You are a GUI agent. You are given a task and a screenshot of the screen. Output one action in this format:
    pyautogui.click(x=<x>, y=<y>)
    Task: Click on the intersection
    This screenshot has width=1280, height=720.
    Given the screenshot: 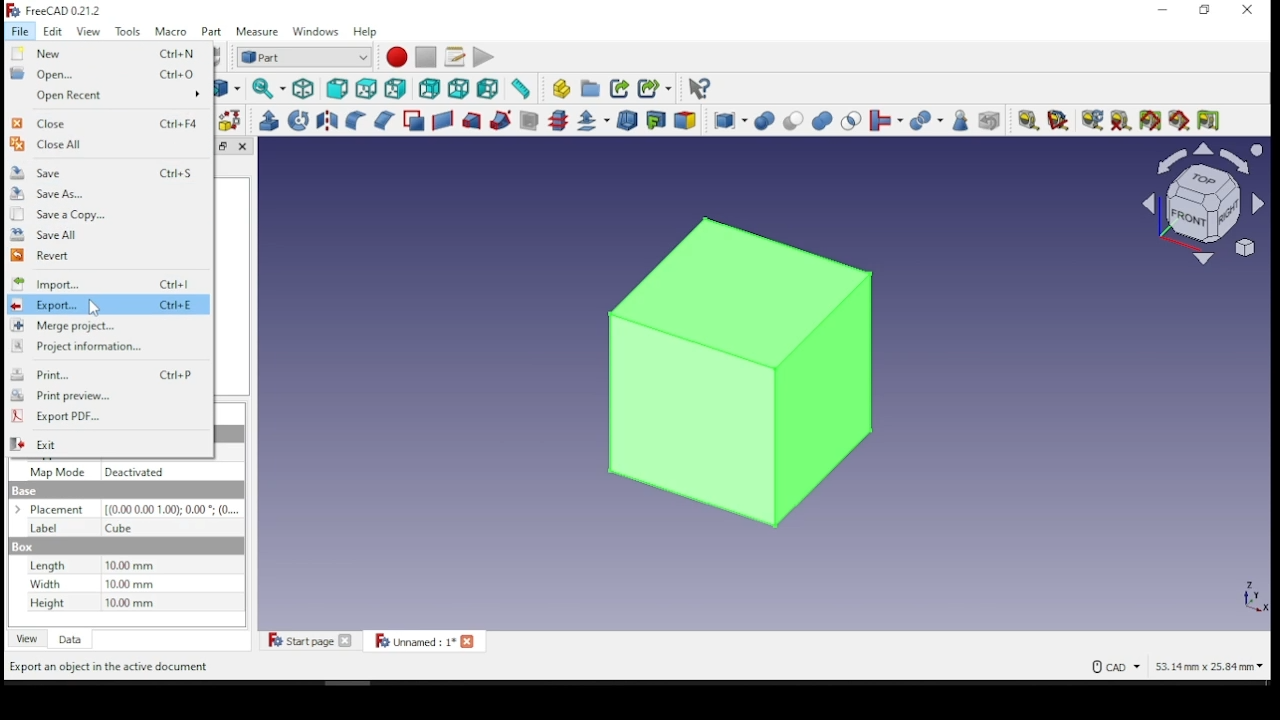 What is the action you would take?
    pyautogui.click(x=850, y=122)
    